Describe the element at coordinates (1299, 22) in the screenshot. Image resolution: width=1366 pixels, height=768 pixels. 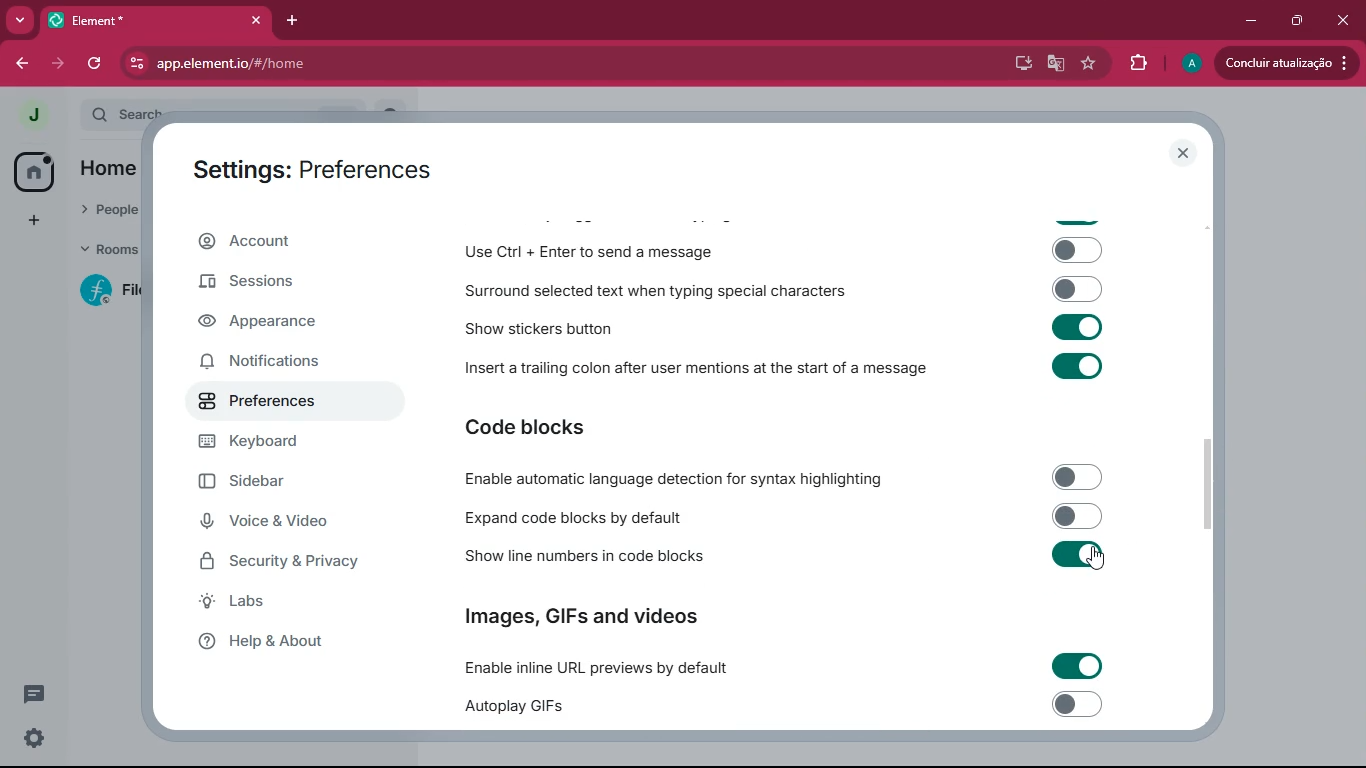
I see `maximize` at that location.